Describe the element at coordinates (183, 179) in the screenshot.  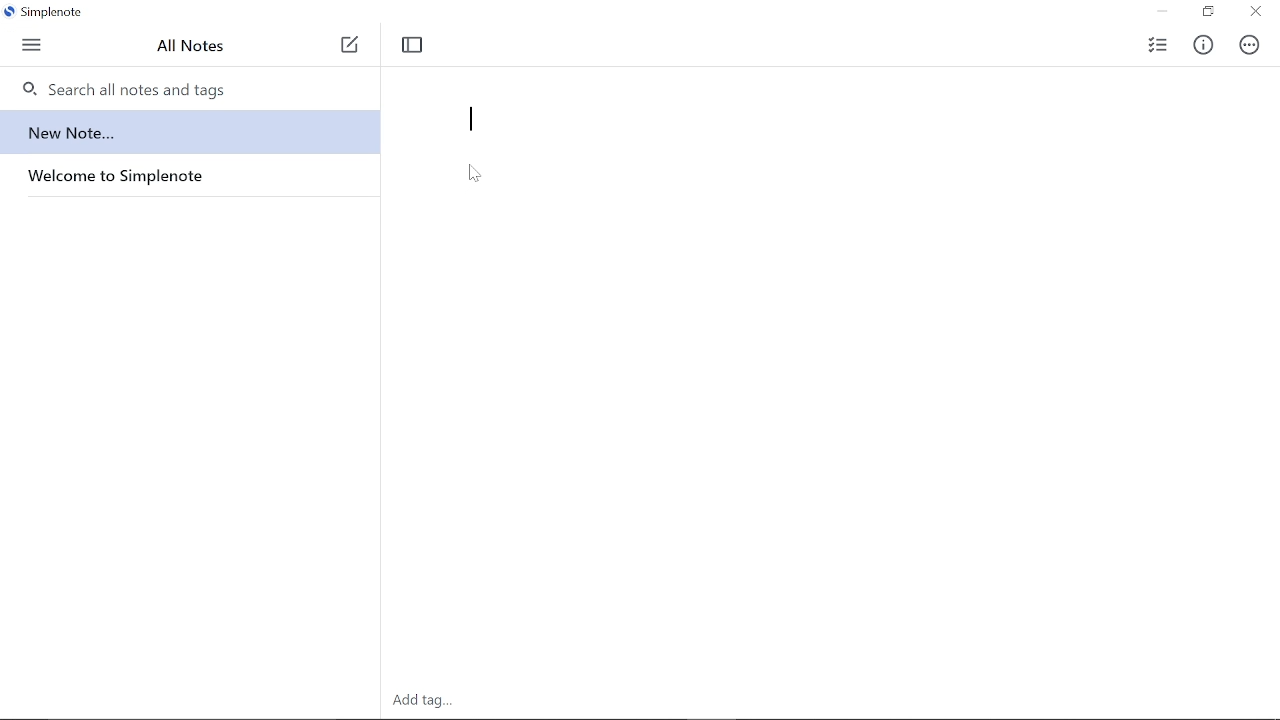
I see `Note titled "Welcome to Simplenote"` at that location.